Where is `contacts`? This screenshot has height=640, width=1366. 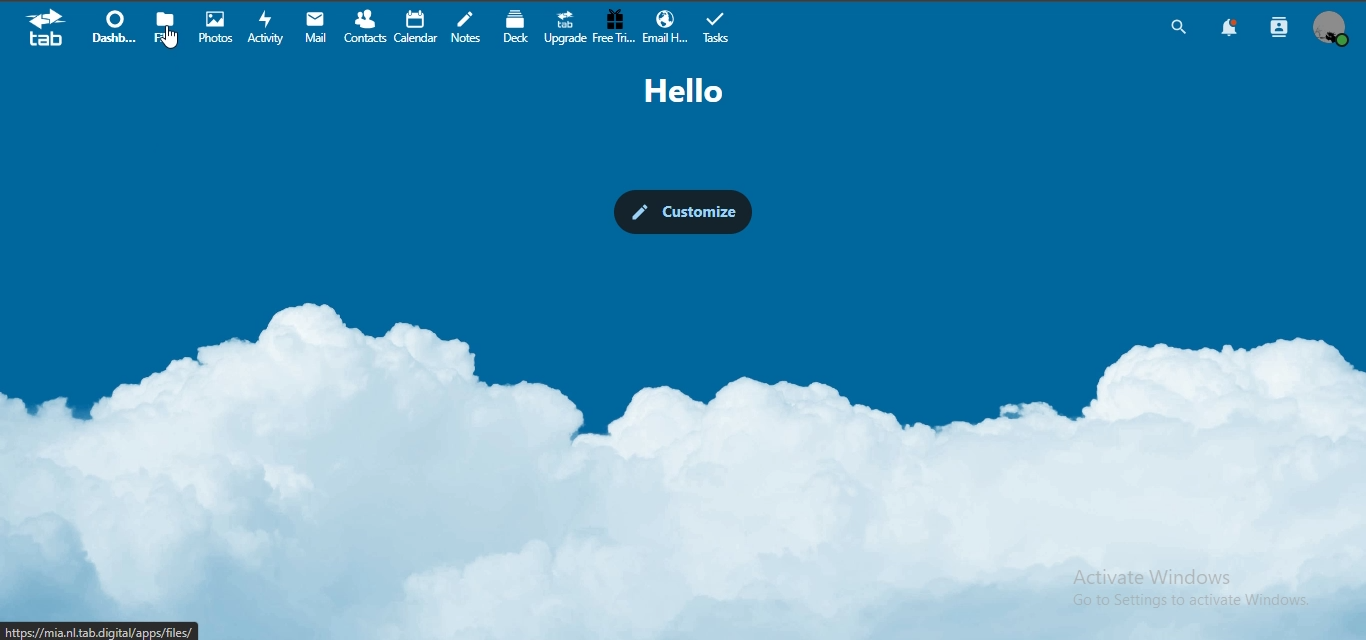
contacts is located at coordinates (368, 25).